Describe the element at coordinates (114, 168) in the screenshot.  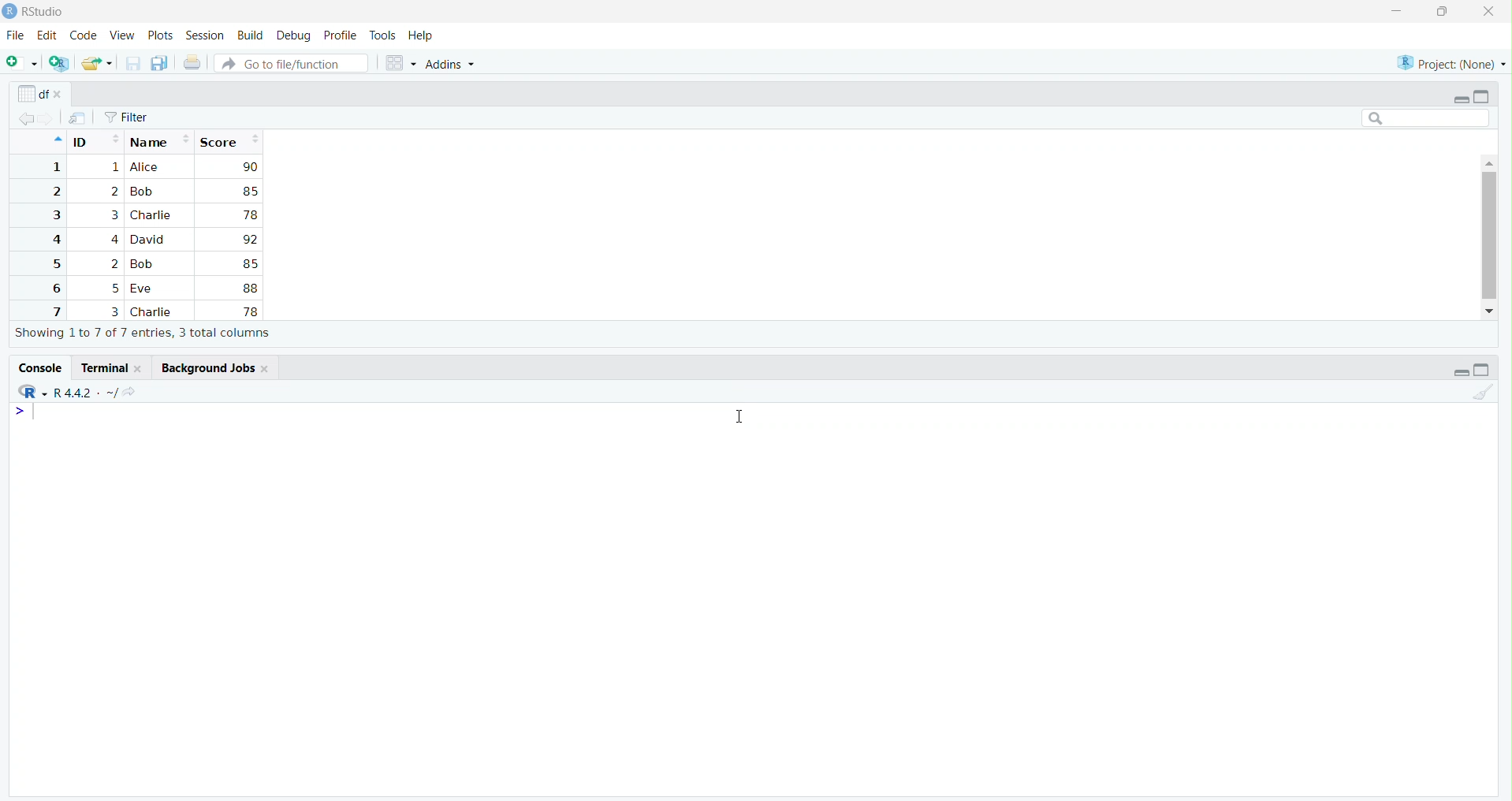
I see `1` at that location.